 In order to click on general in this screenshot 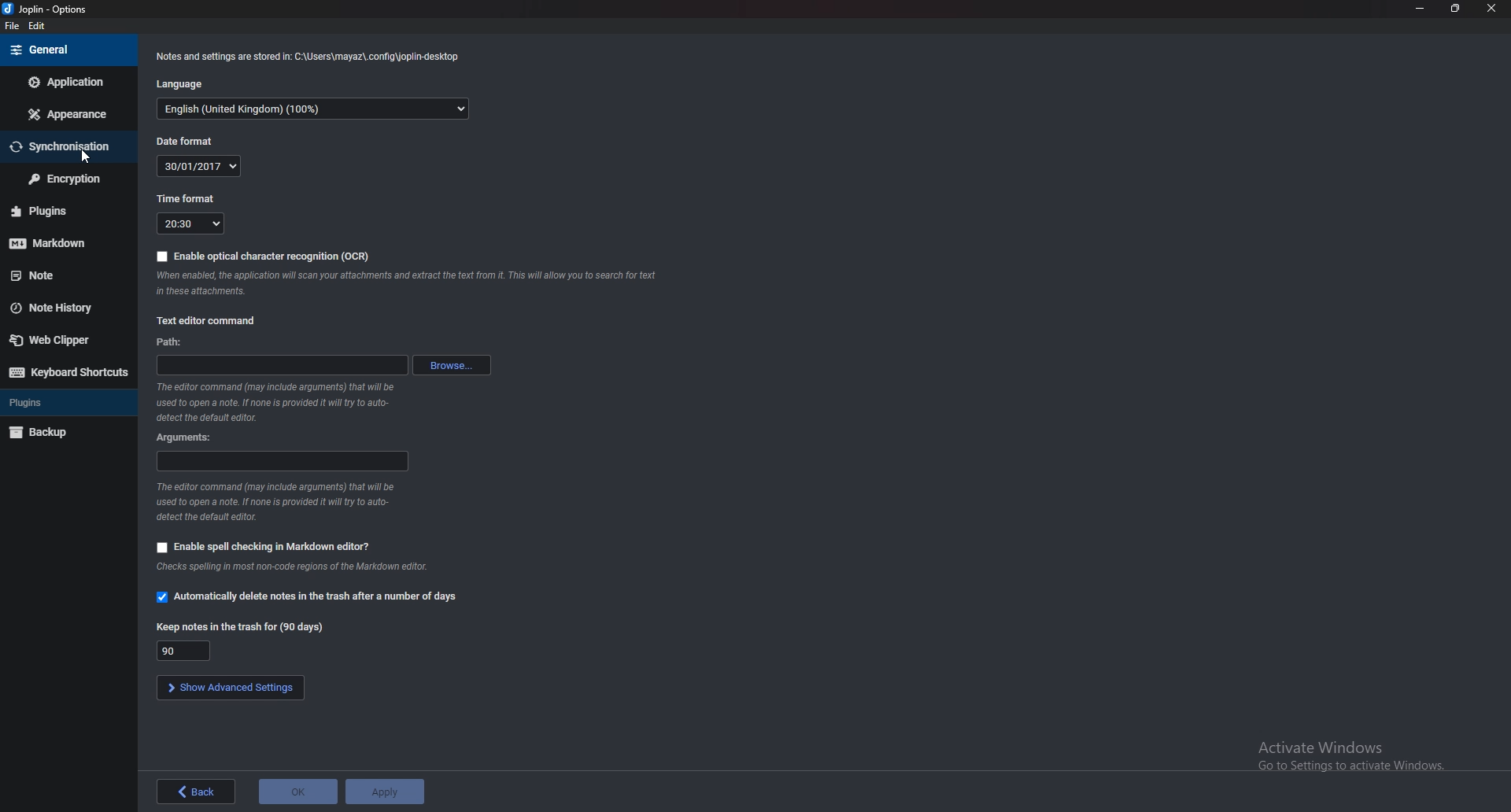, I will do `click(68, 50)`.